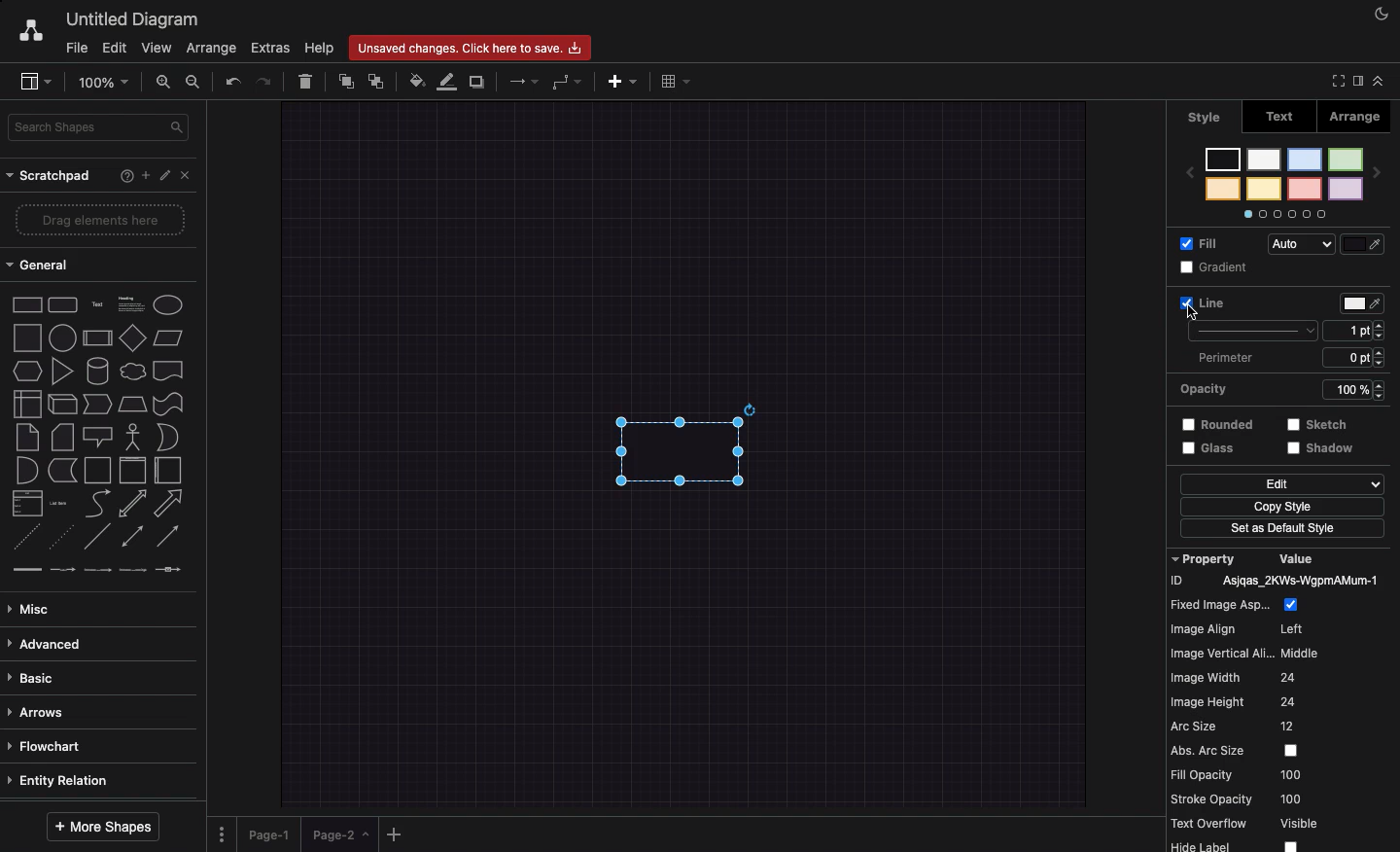 The width and height of the screenshot is (1400, 852). What do you see at coordinates (1318, 423) in the screenshot?
I see `sketch` at bounding box center [1318, 423].